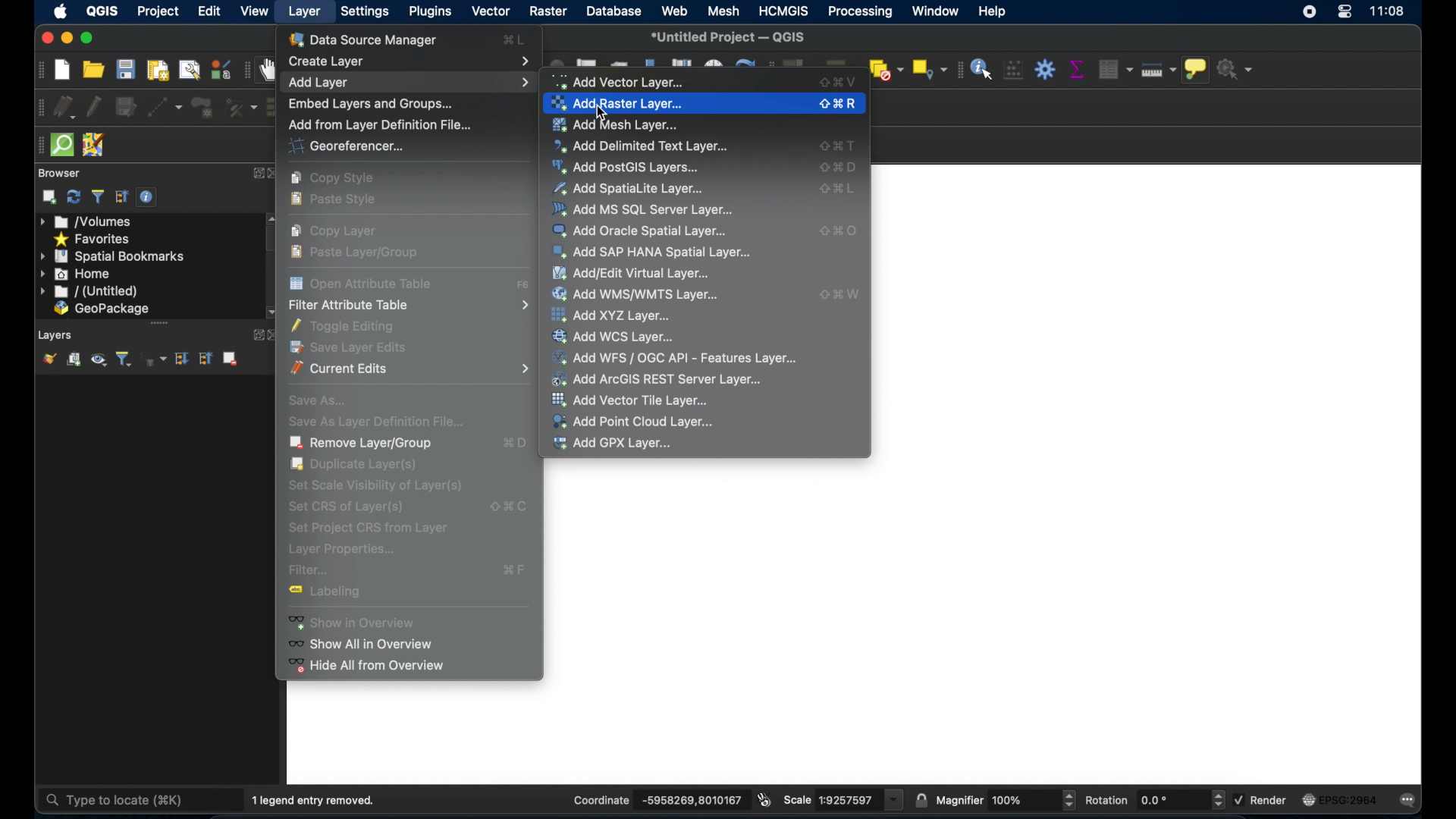 The width and height of the screenshot is (1456, 819). I want to click on coordinate, so click(599, 799).